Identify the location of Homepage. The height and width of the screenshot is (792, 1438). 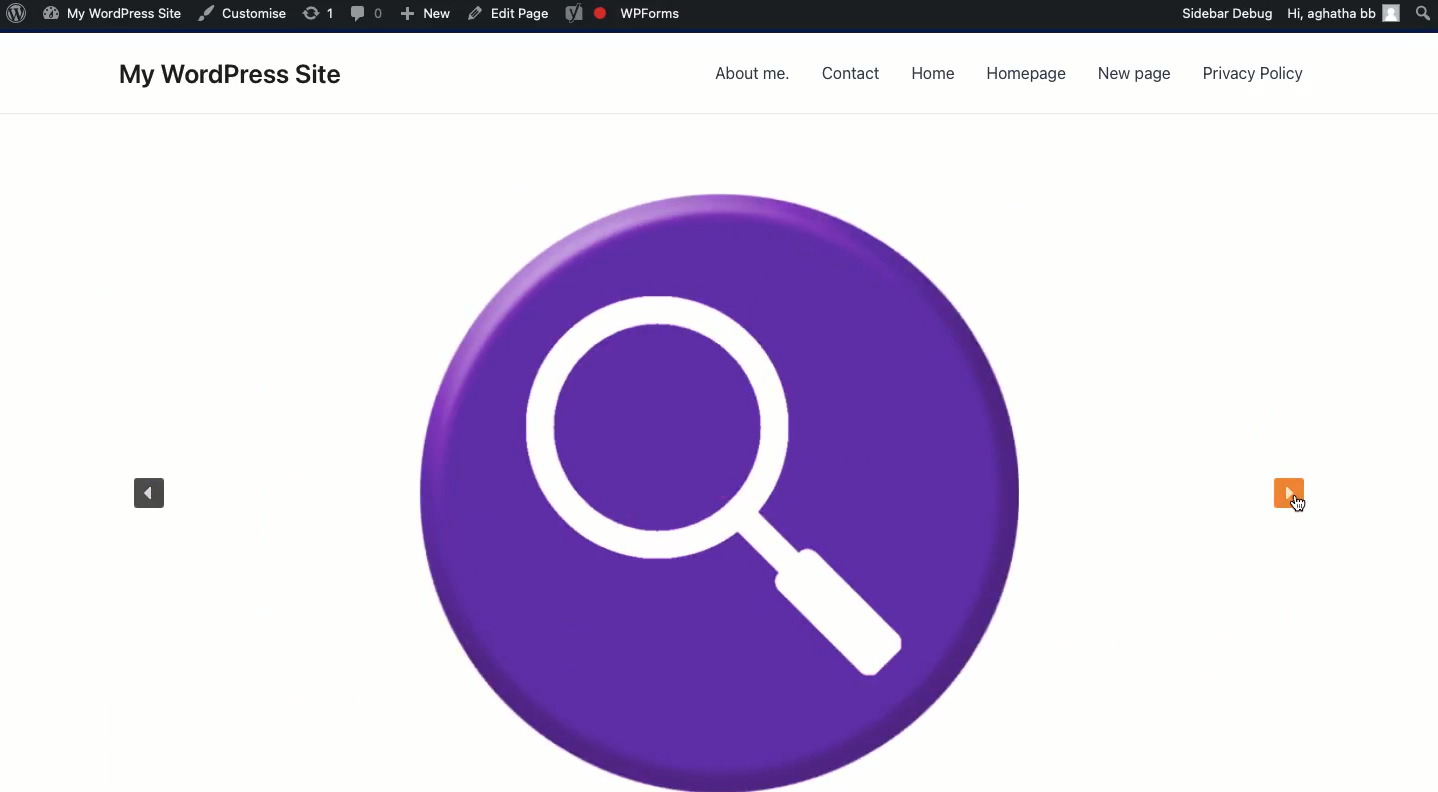
(1026, 77).